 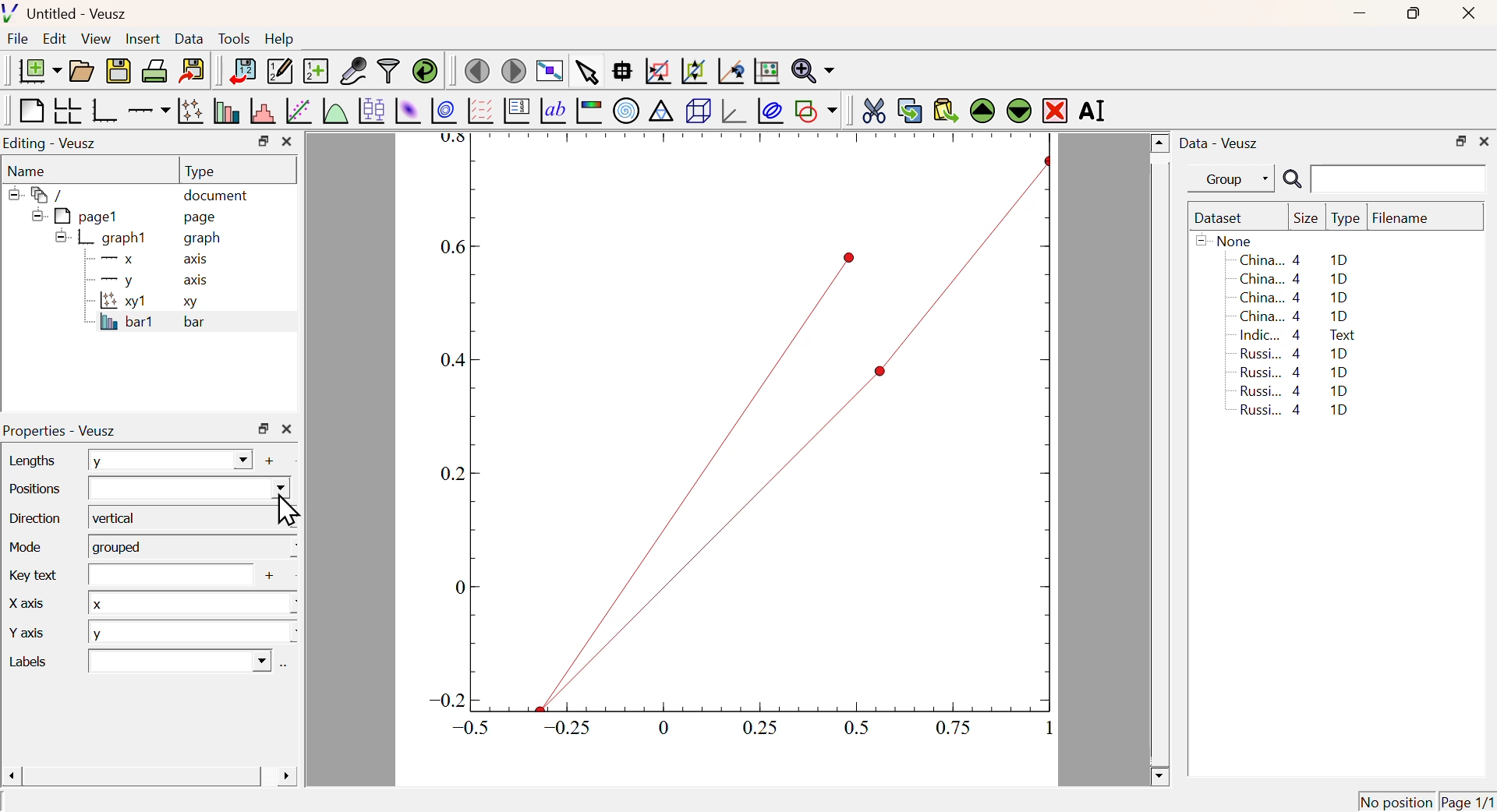 I want to click on Select using dataset Browser, so click(x=285, y=667).